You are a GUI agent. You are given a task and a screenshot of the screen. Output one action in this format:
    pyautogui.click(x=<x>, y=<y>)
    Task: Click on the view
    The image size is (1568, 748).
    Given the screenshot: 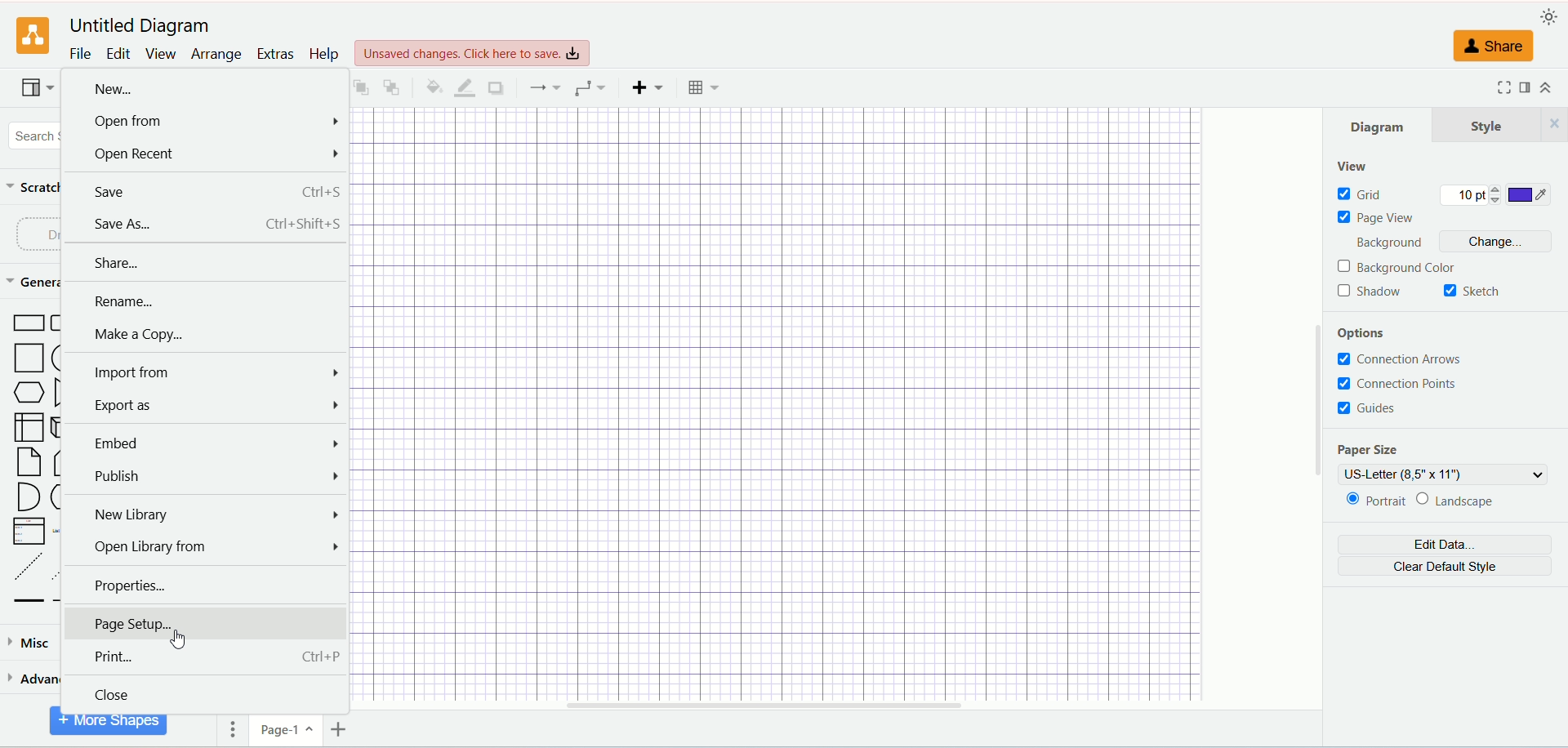 What is the action you would take?
    pyautogui.click(x=161, y=54)
    